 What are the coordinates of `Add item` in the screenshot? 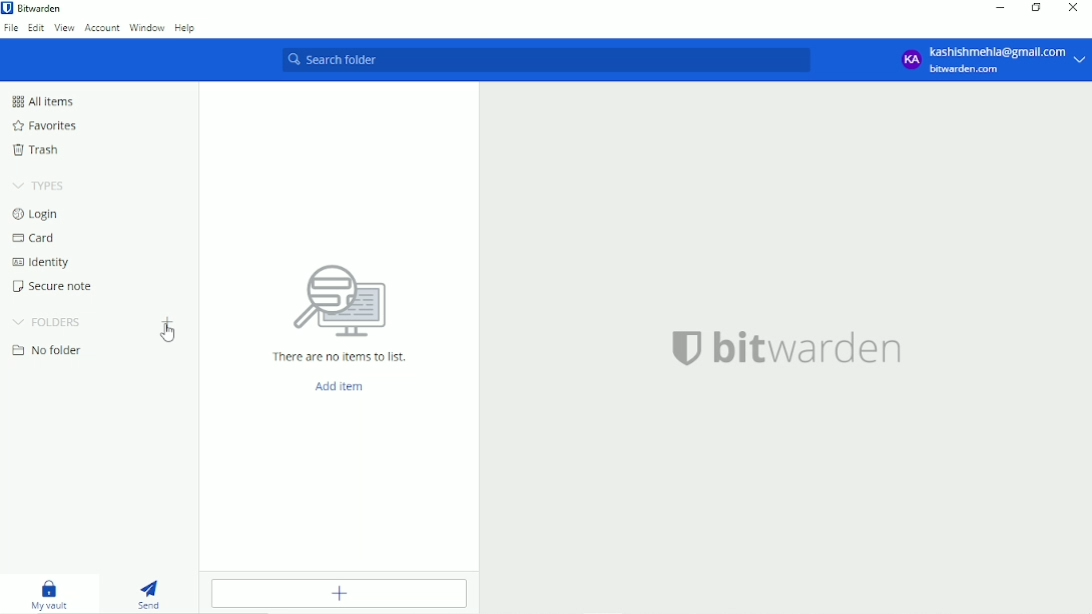 It's located at (337, 594).